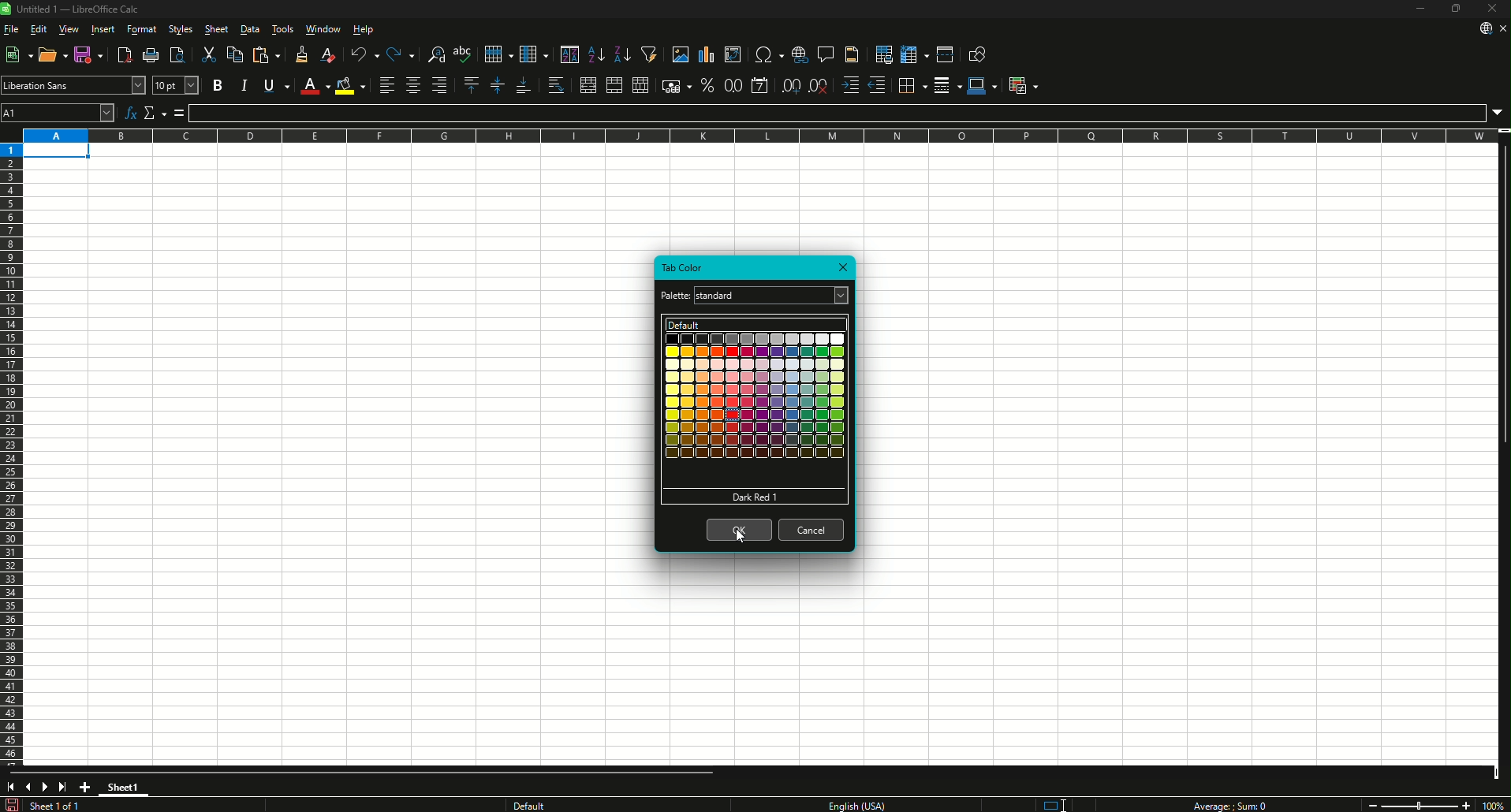 This screenshot has height=812, width=1511. Describe the element at coordinates (124, 788) in the screenshot. I see `Sheet1` at that location.